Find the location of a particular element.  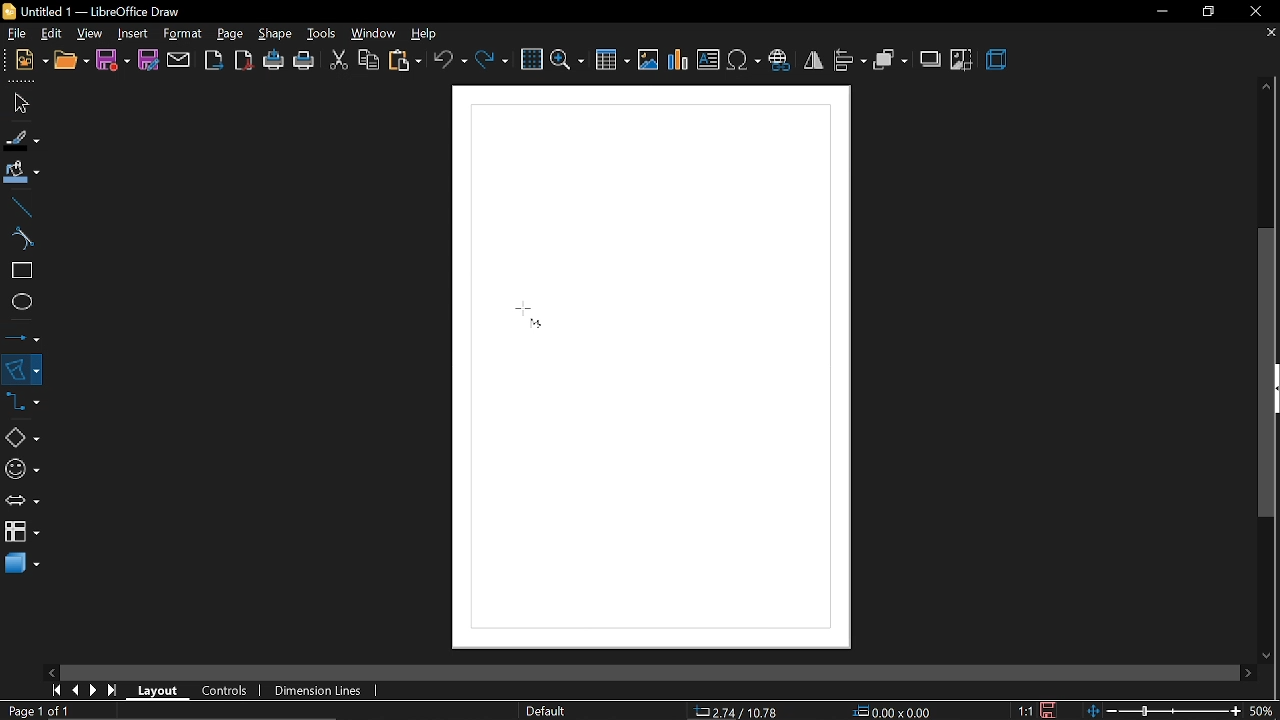

paste is located at coordinates (404, 60).